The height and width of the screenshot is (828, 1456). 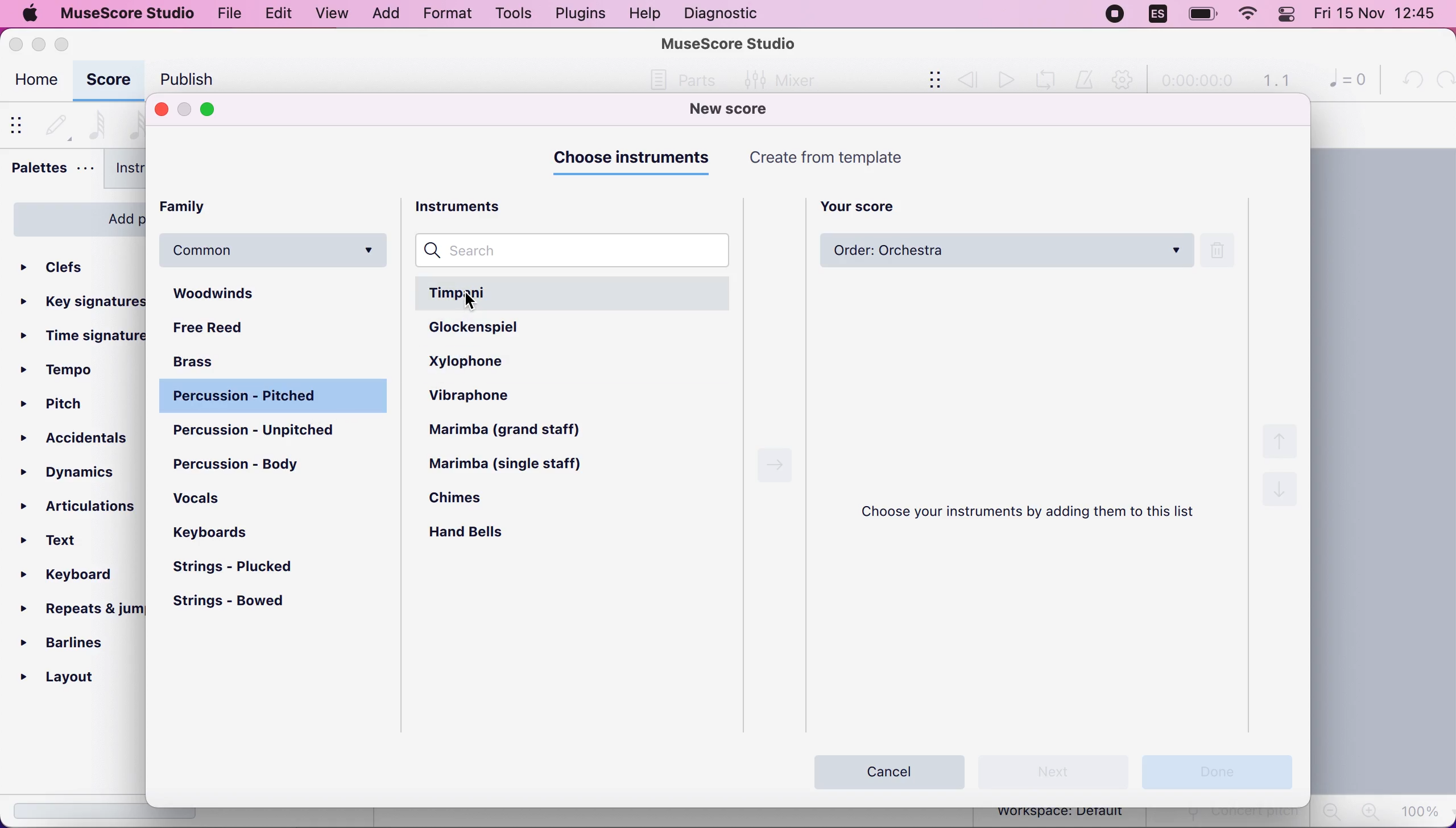 What do you see at coordinates (1157, 14) in the screenshot?
I see `language` at bounding box center [1157, 14].